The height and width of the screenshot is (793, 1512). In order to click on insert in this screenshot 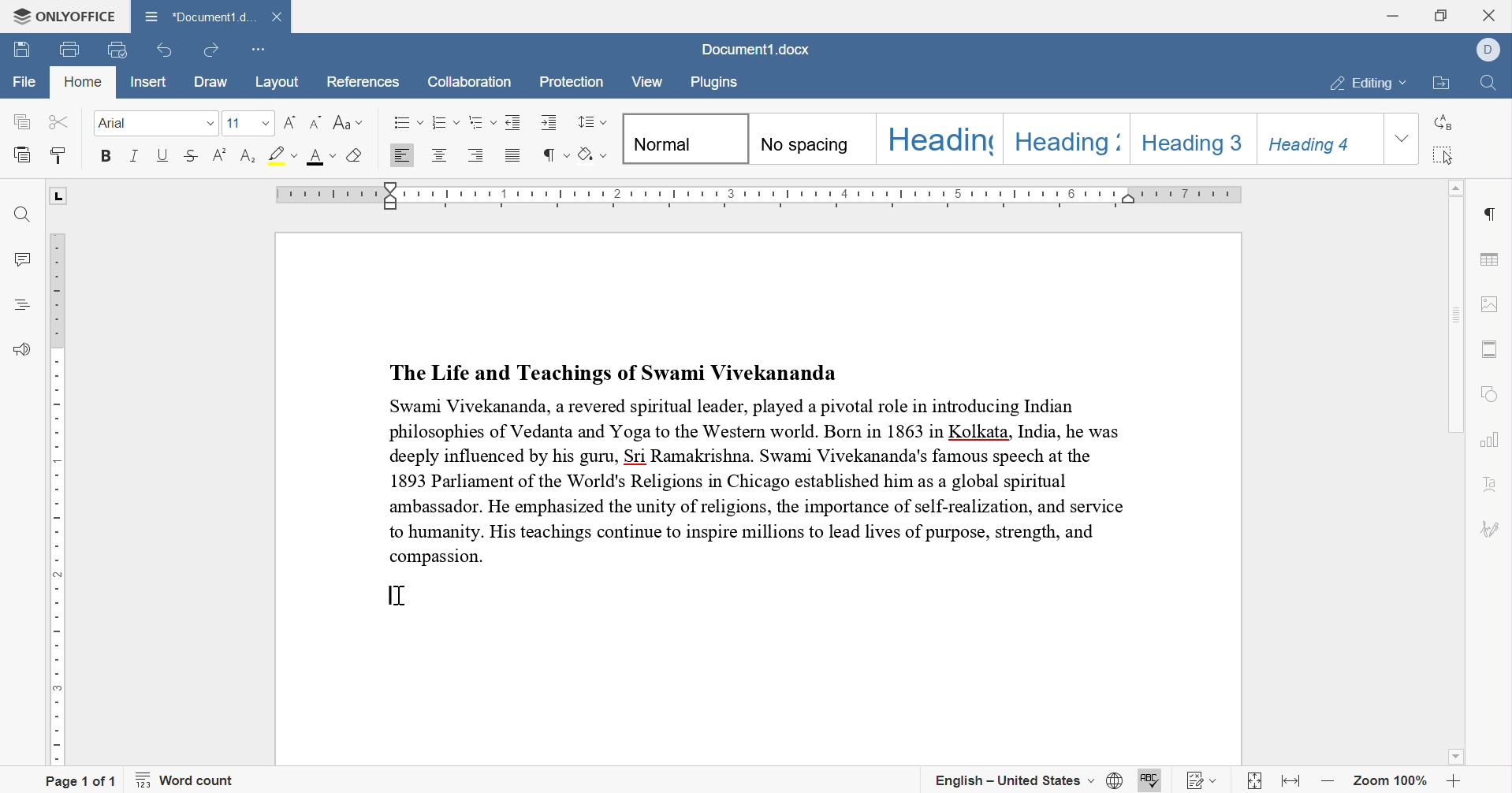, I will do `click(151, 82)`.